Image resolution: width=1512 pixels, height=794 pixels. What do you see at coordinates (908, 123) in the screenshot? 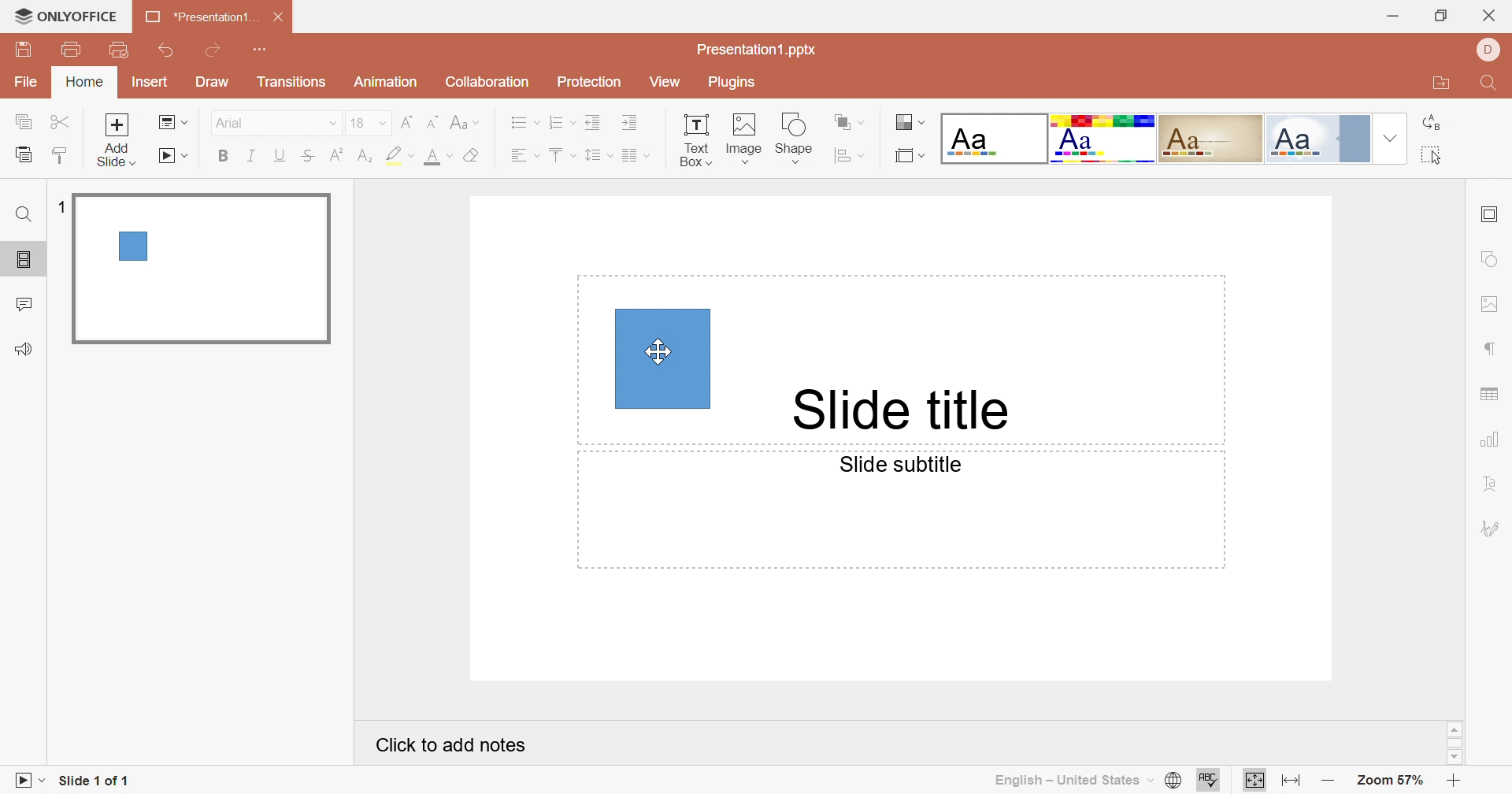
I see `Change color theme` at bounding box center [908, 123].